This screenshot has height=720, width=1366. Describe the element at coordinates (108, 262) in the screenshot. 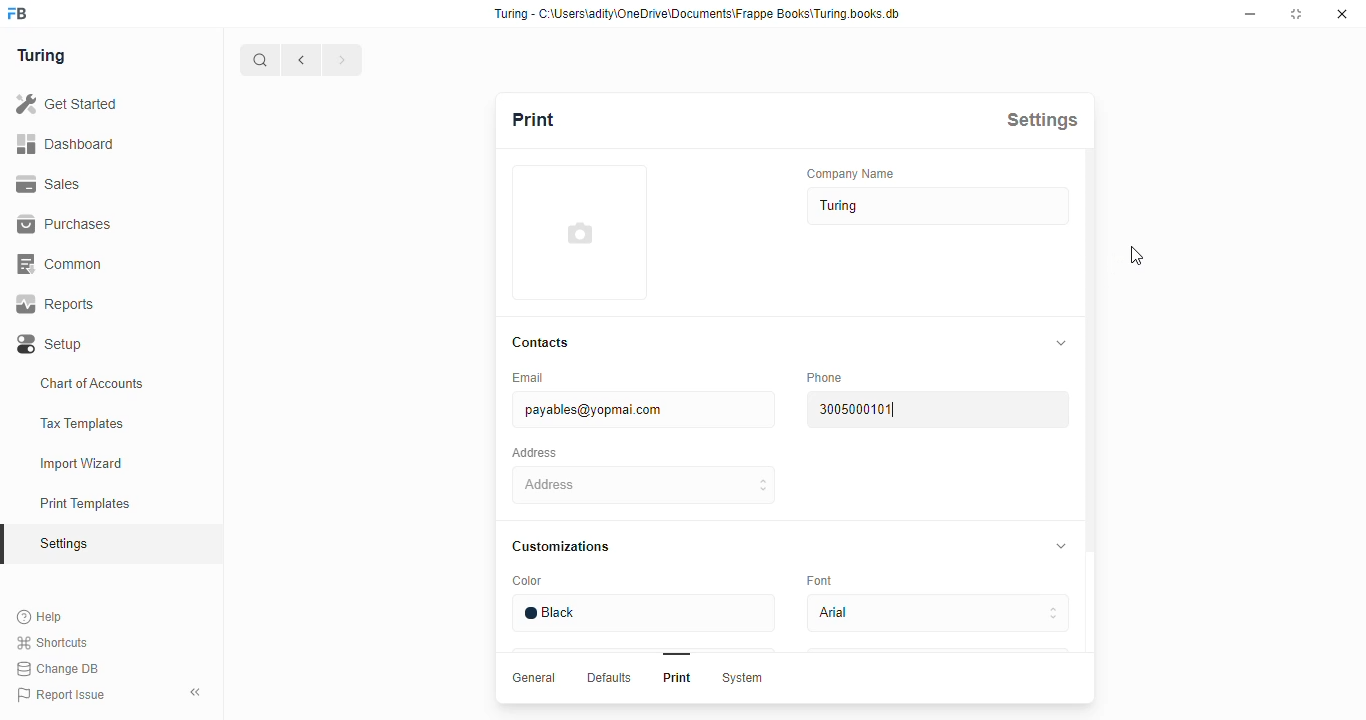

I see `Common` at that location.